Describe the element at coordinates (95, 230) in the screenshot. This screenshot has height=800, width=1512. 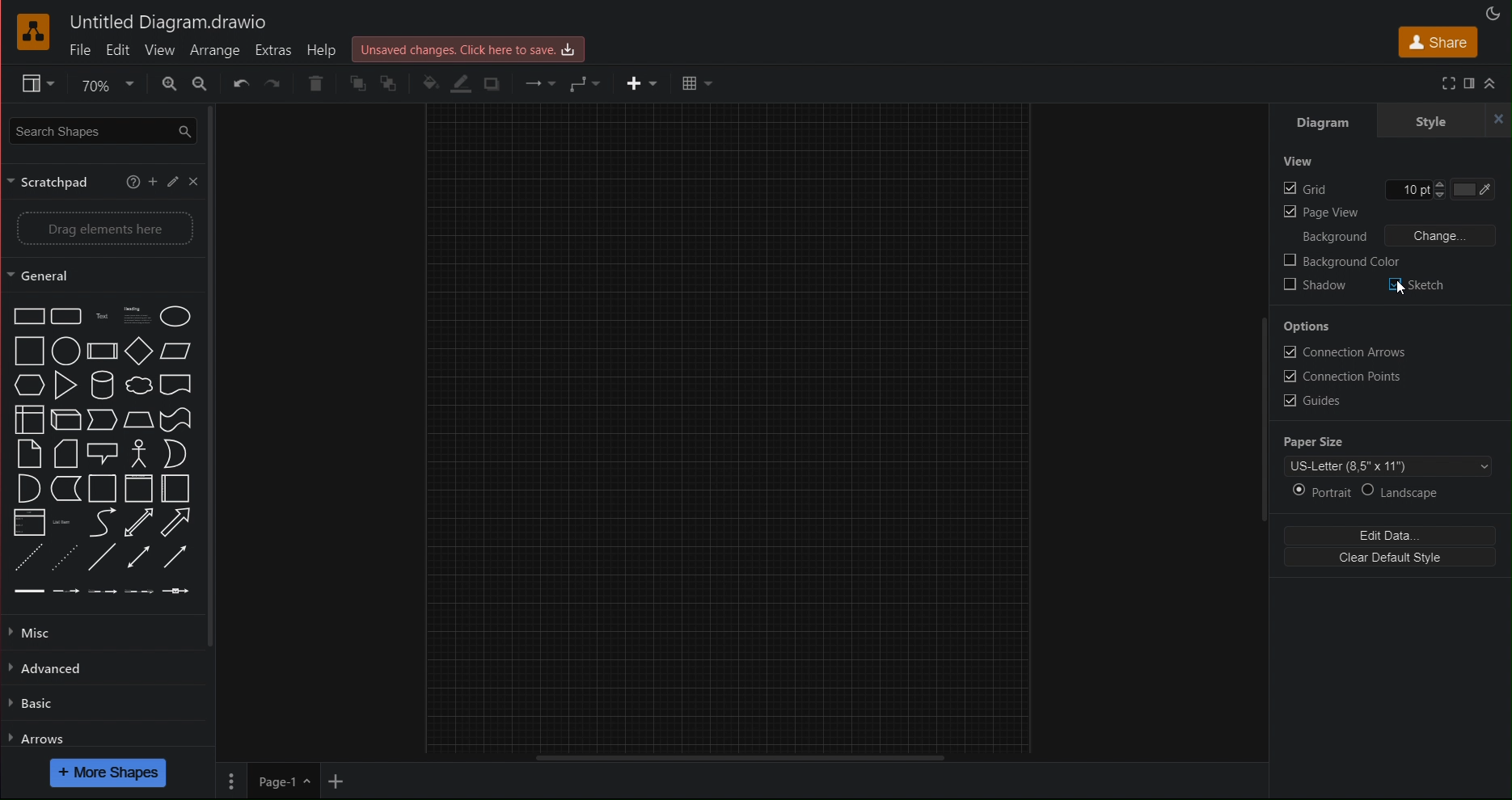
I see `Drag elements` at that location.